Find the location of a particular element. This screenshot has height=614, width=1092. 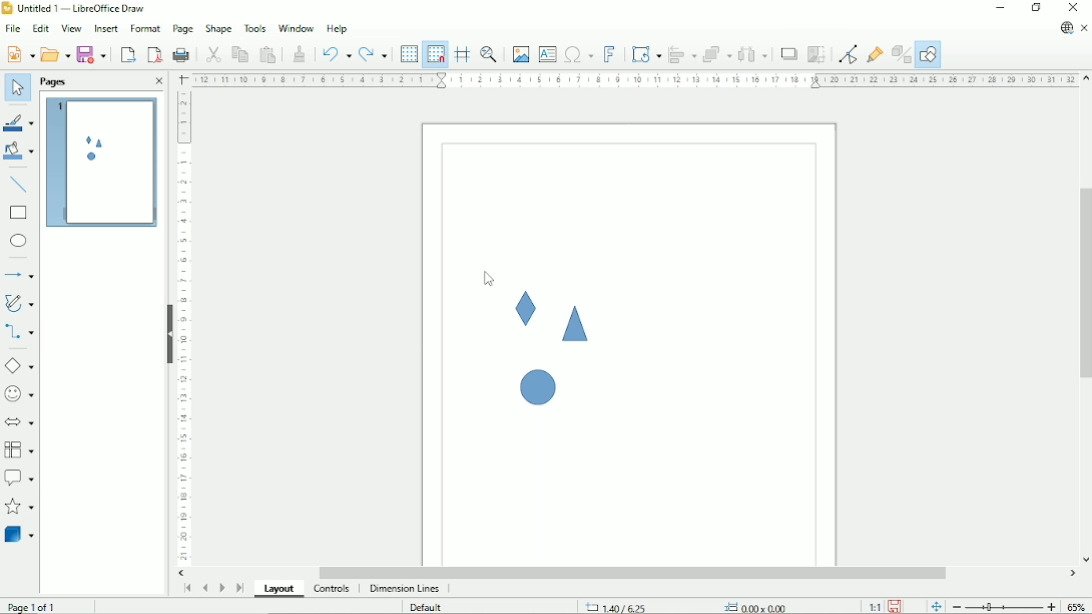

Scroll to previous page is located at coordinates (204, 589).